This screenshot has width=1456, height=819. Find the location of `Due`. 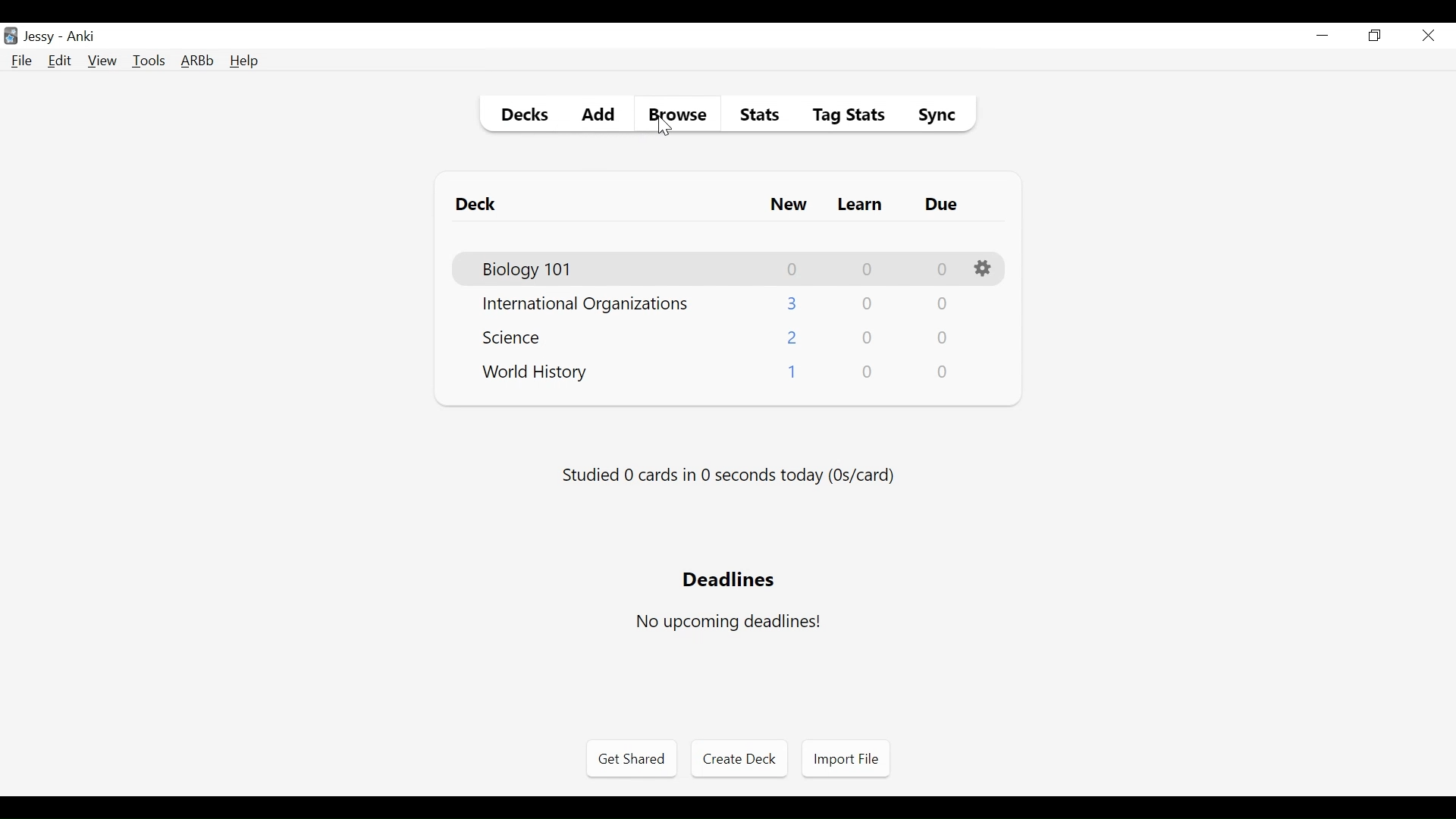

Due is located at coordinates (943, 205).